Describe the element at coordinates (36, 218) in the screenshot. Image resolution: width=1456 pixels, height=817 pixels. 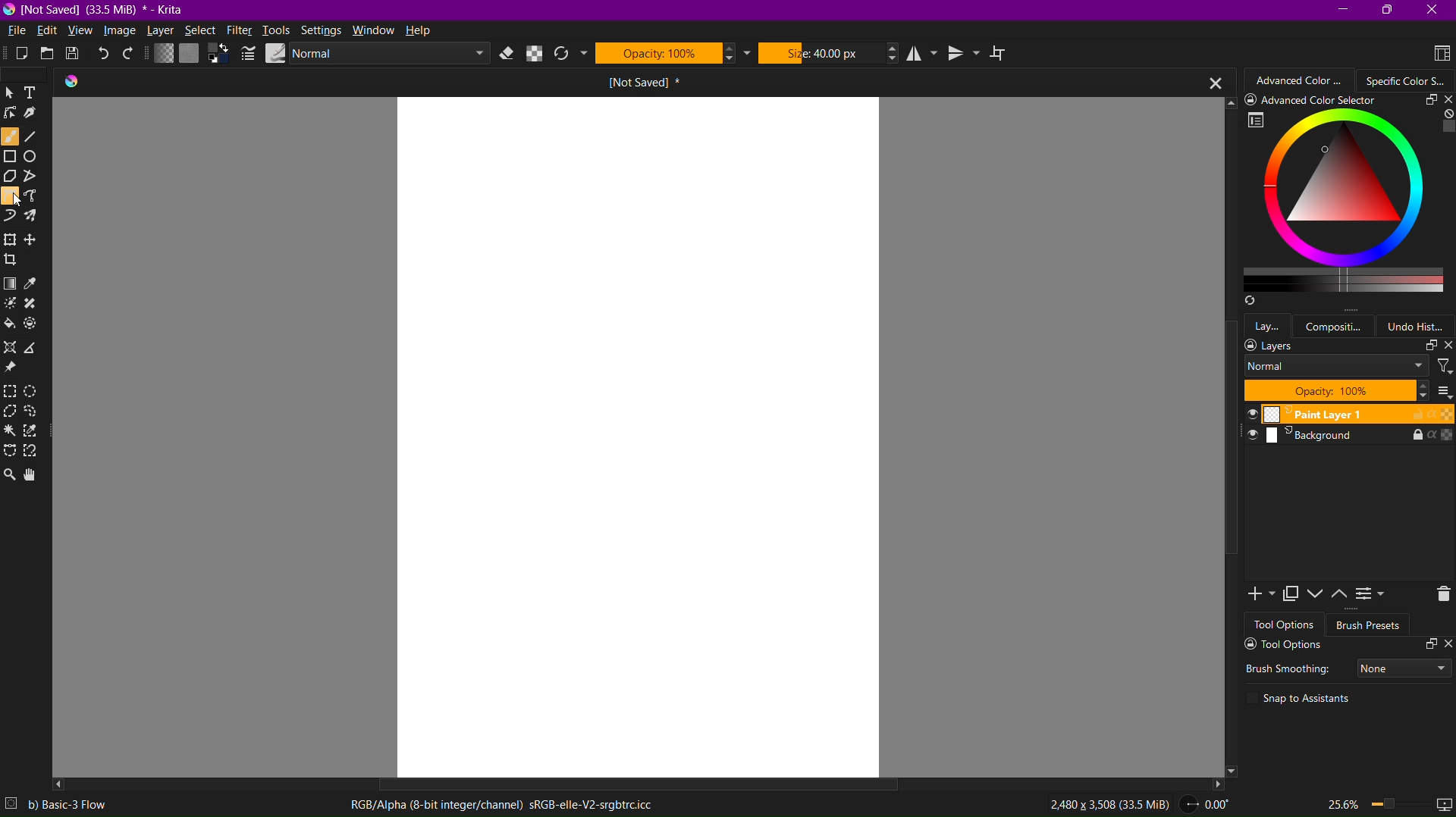
I see `Multibrush Tool` at that location.